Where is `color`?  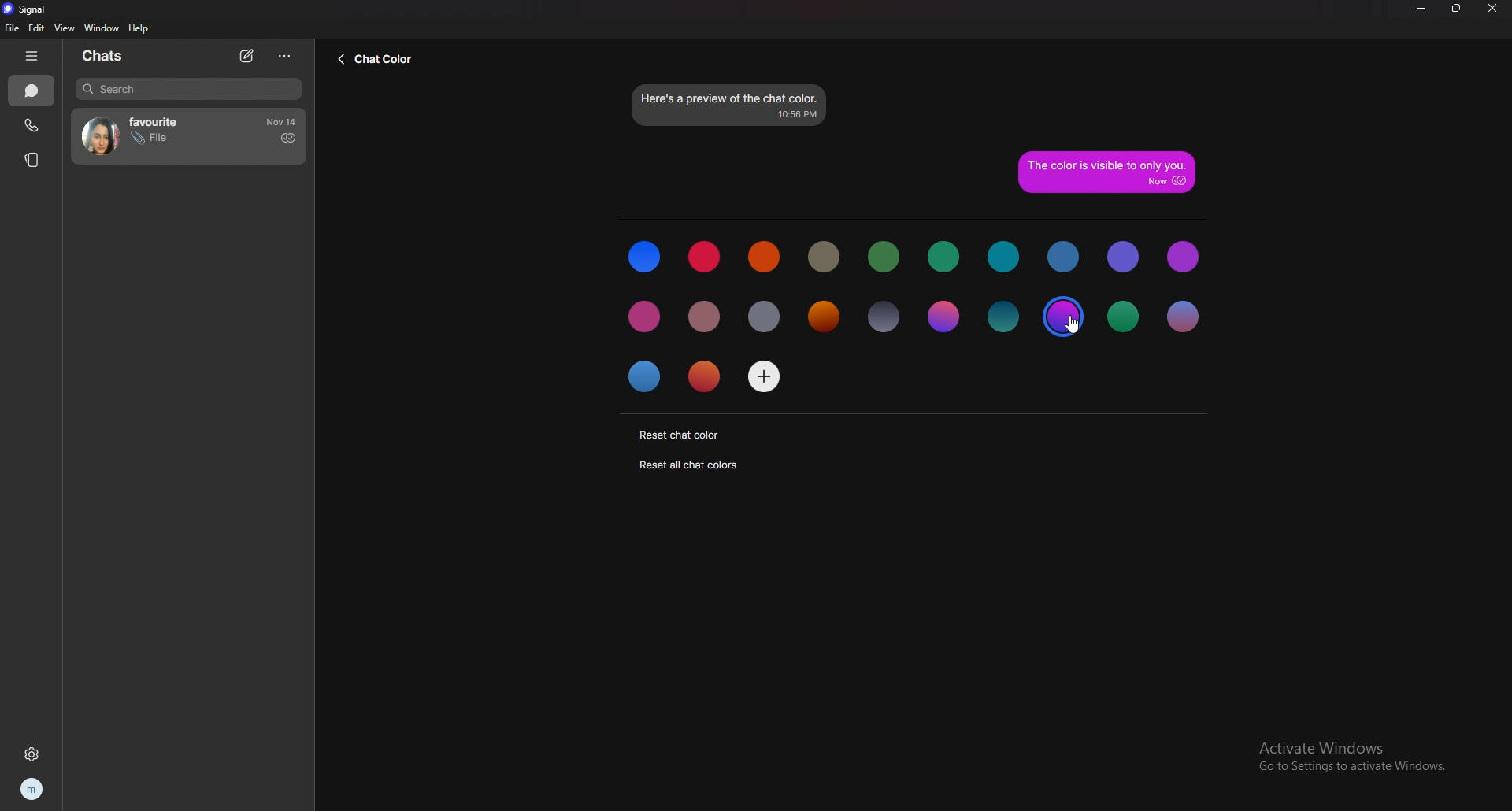 color is located at coordinates (1184, 256).